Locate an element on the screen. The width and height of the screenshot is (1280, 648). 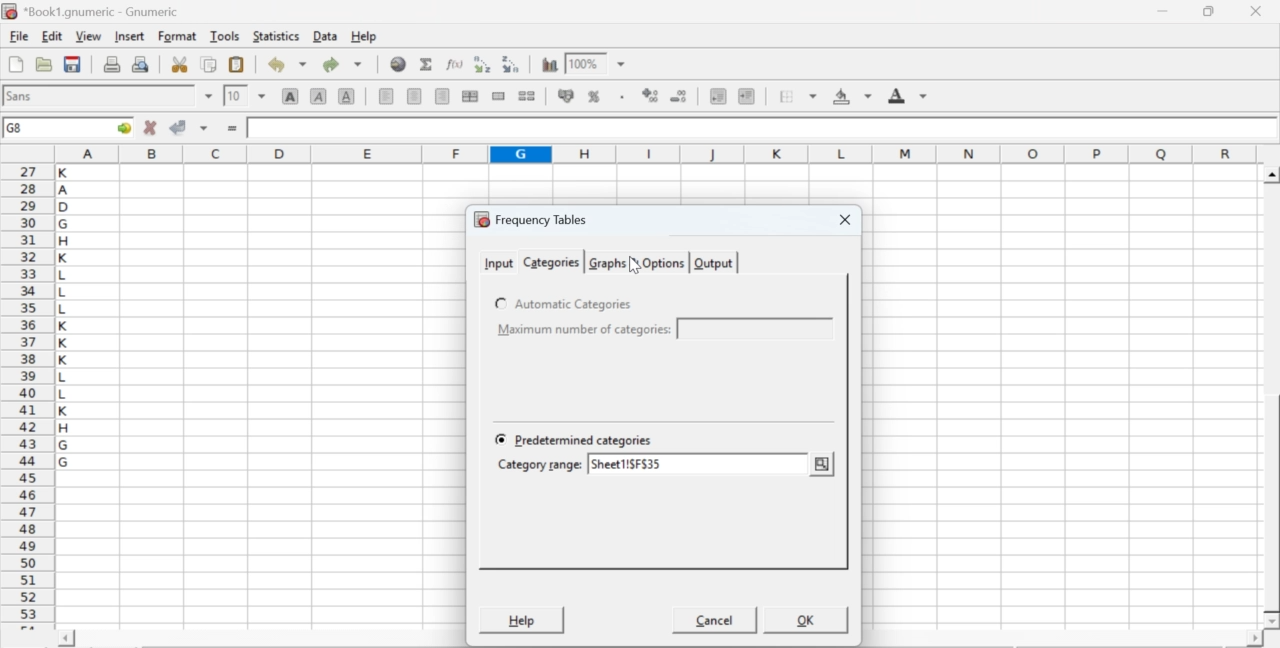
input is located at coordinates (497, 261).